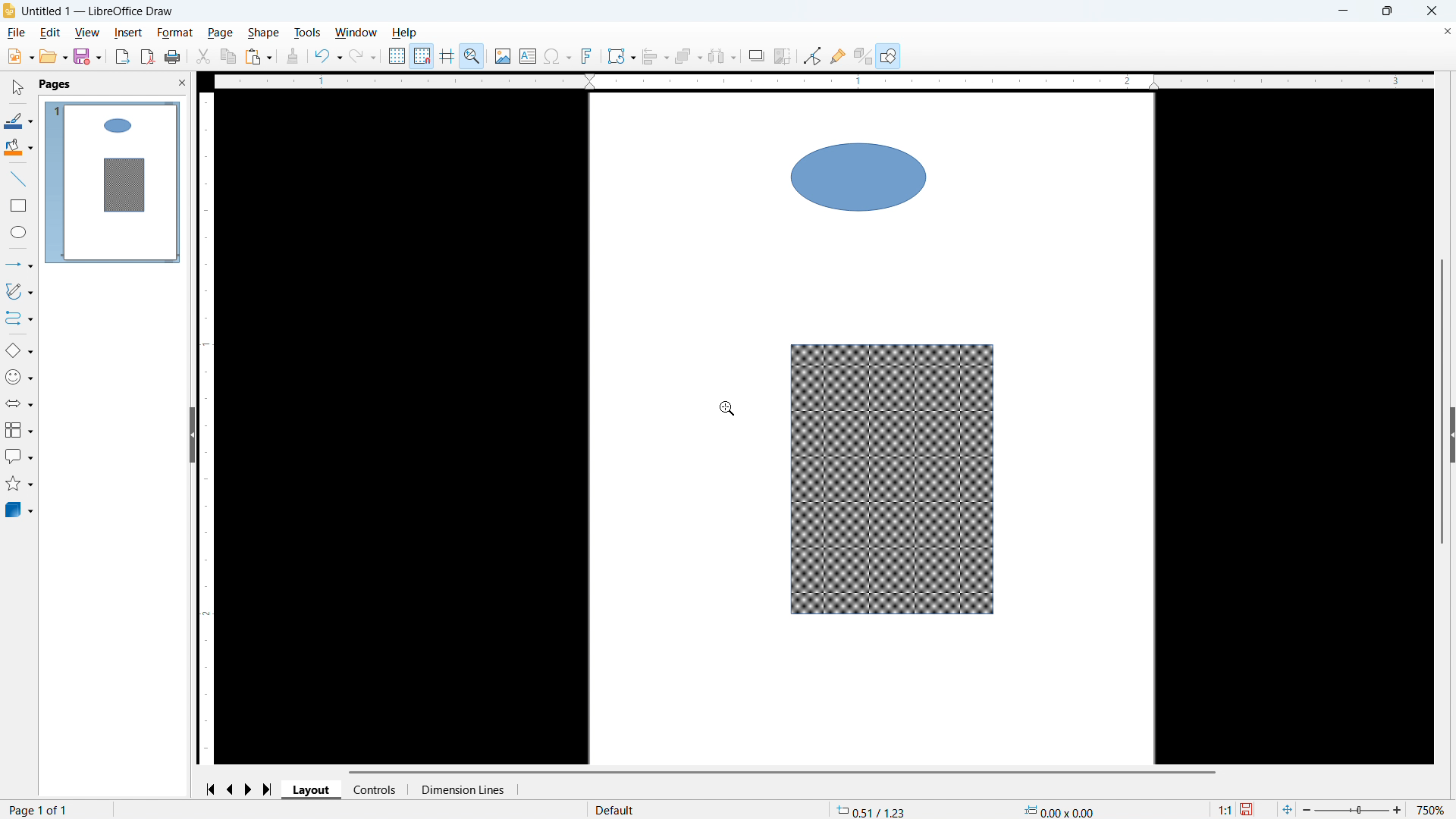 This screenshot has width=1456, height=819. Describe the element at coordinates (176, 33) in the screenshot. I see `Format ` at that location.